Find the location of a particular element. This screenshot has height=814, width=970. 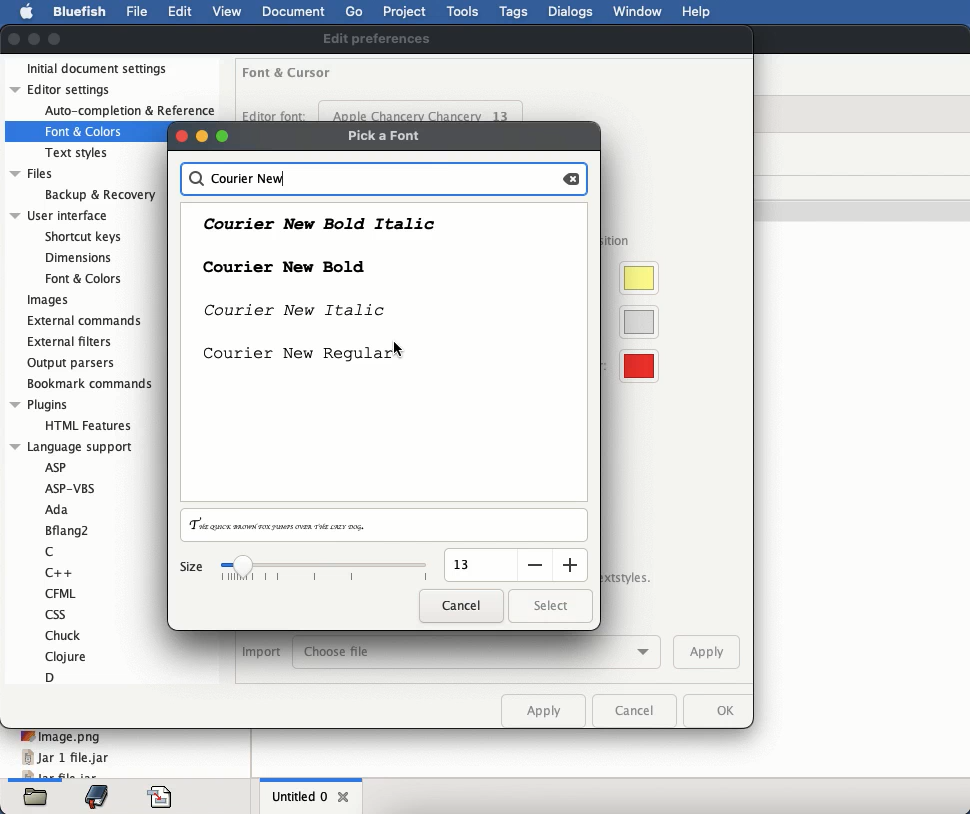

plugins  is located at coordinates (76, 415).